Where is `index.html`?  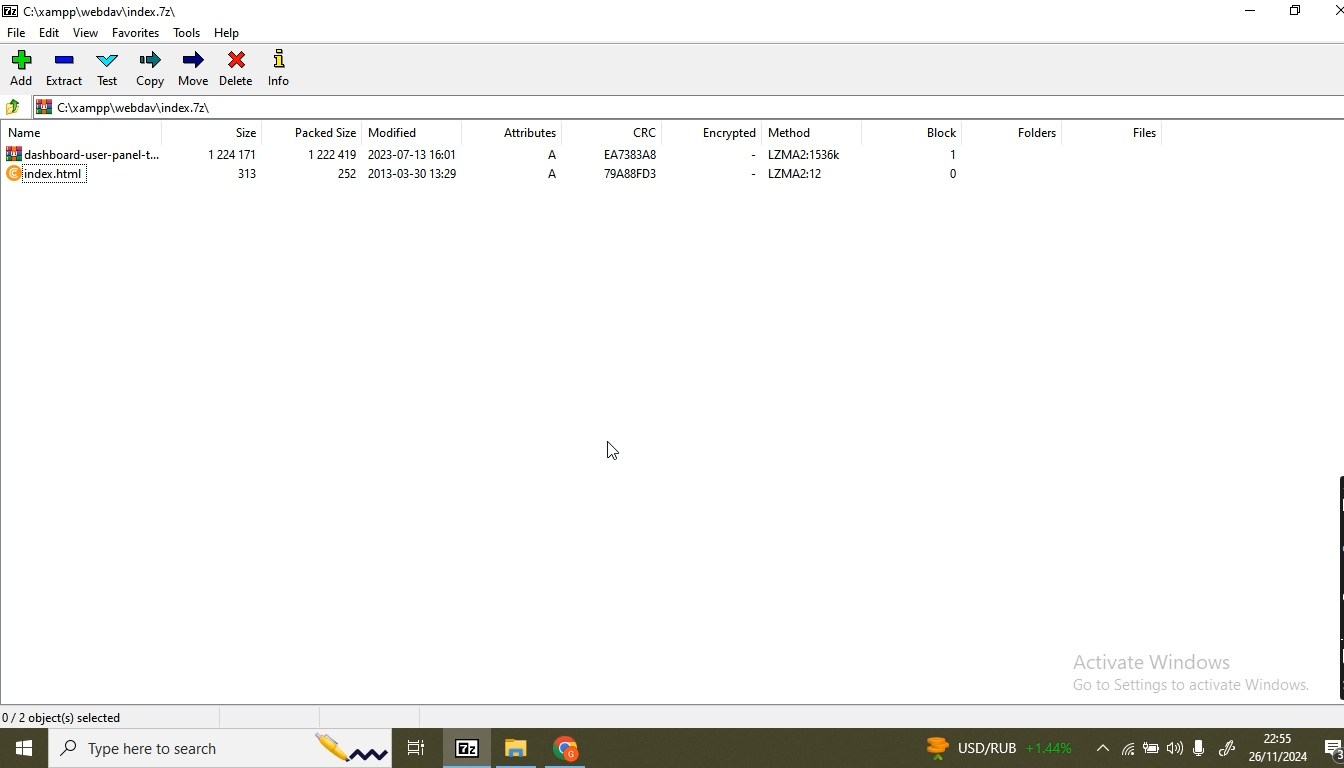
index.html is located at coordinates (55, 176).